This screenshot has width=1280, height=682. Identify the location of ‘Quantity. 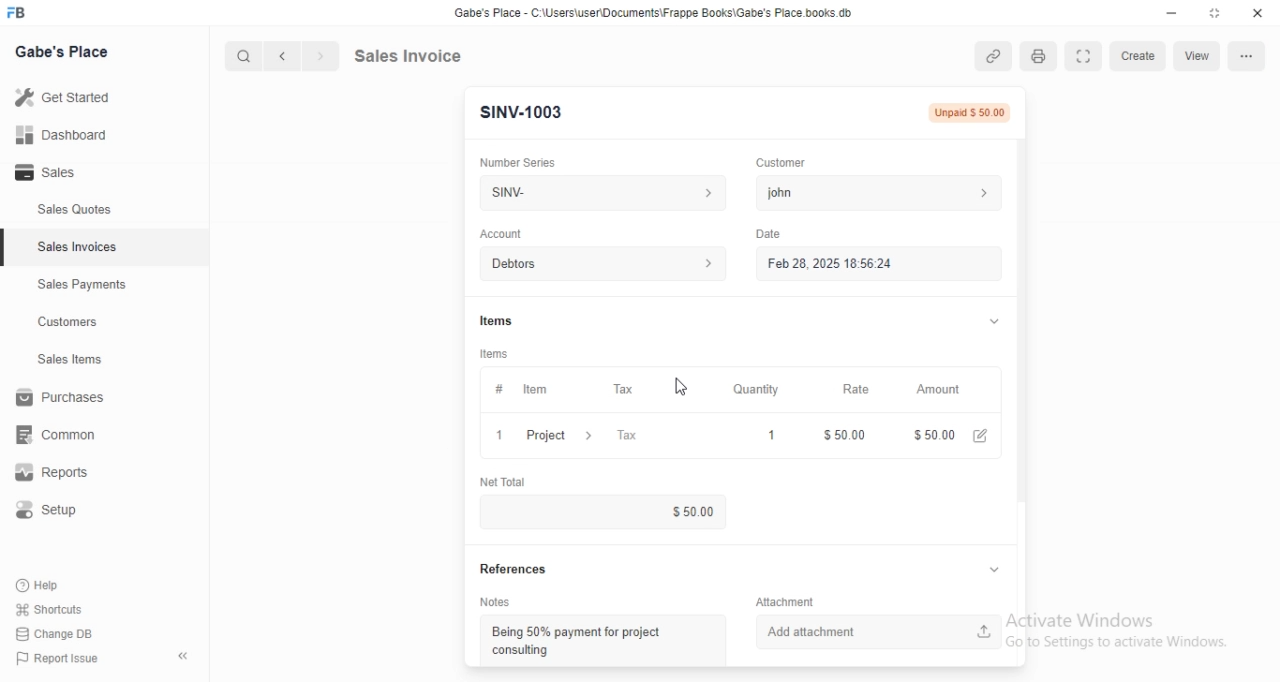
(755, 389).